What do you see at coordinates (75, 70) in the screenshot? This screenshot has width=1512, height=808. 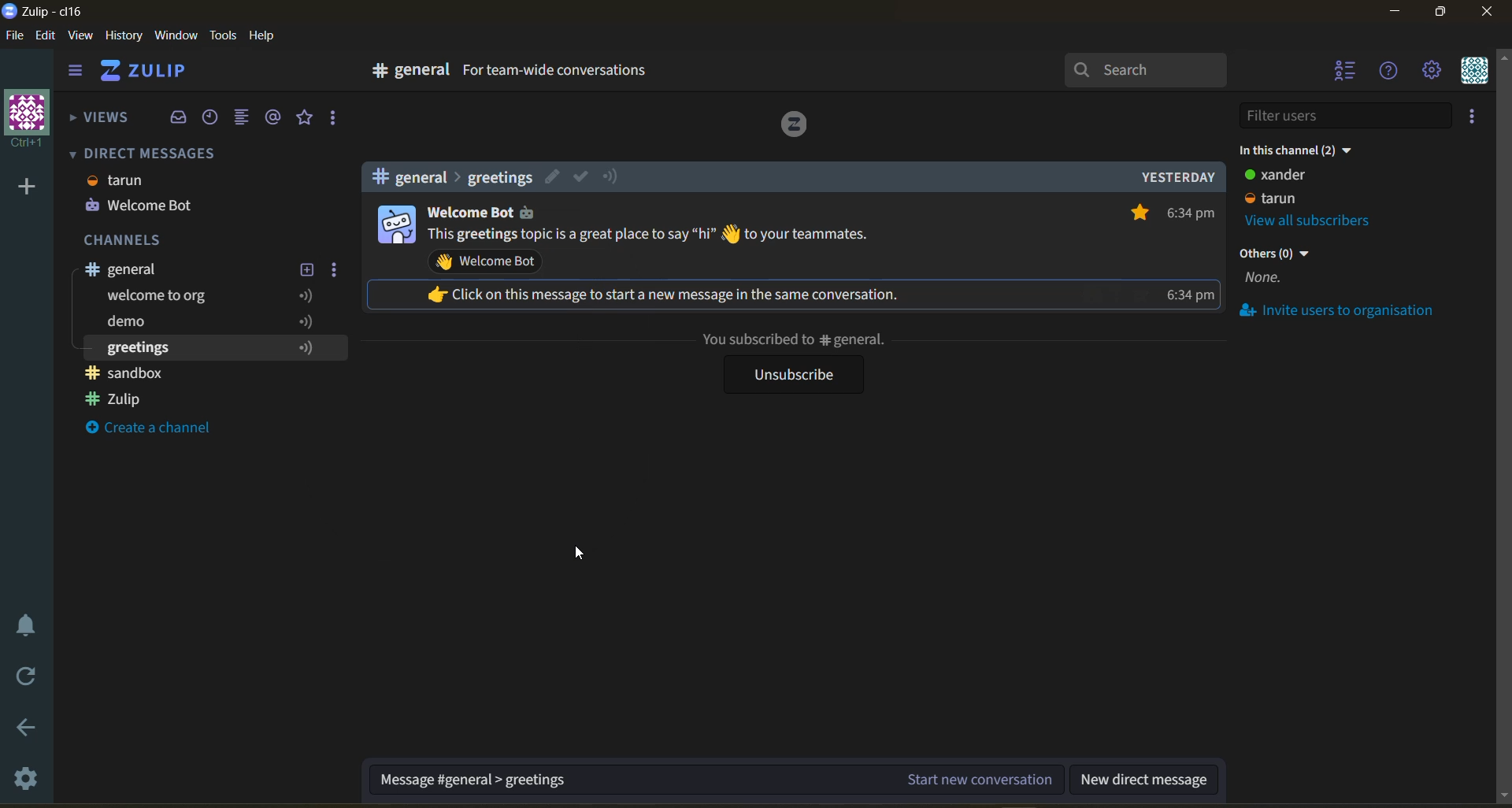 I see `hide sidebar ` at bounding box center [75, 70].